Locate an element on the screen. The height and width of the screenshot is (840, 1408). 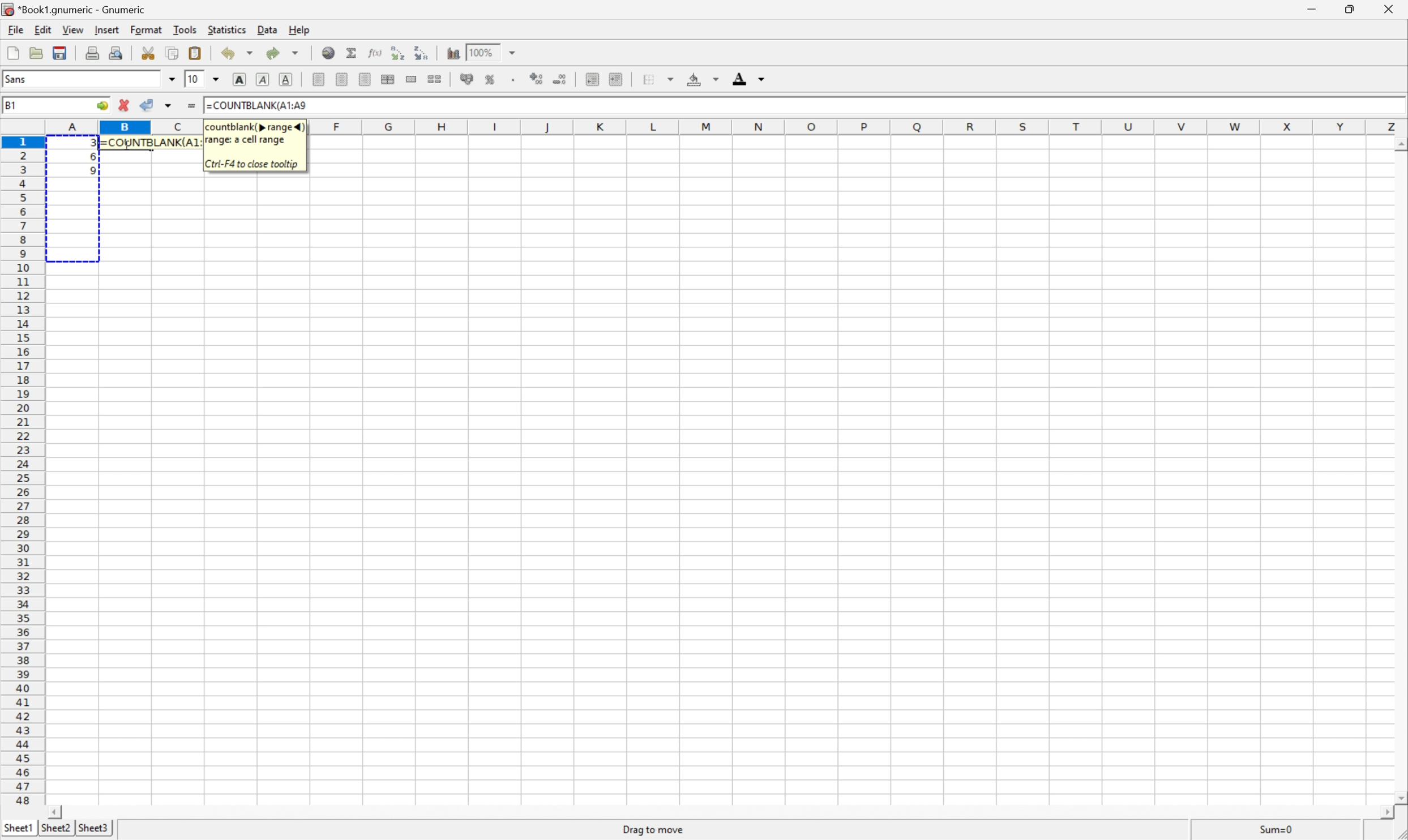
Sort the selected region in descending order based on the first column selected is located at coordinates (396, 52).